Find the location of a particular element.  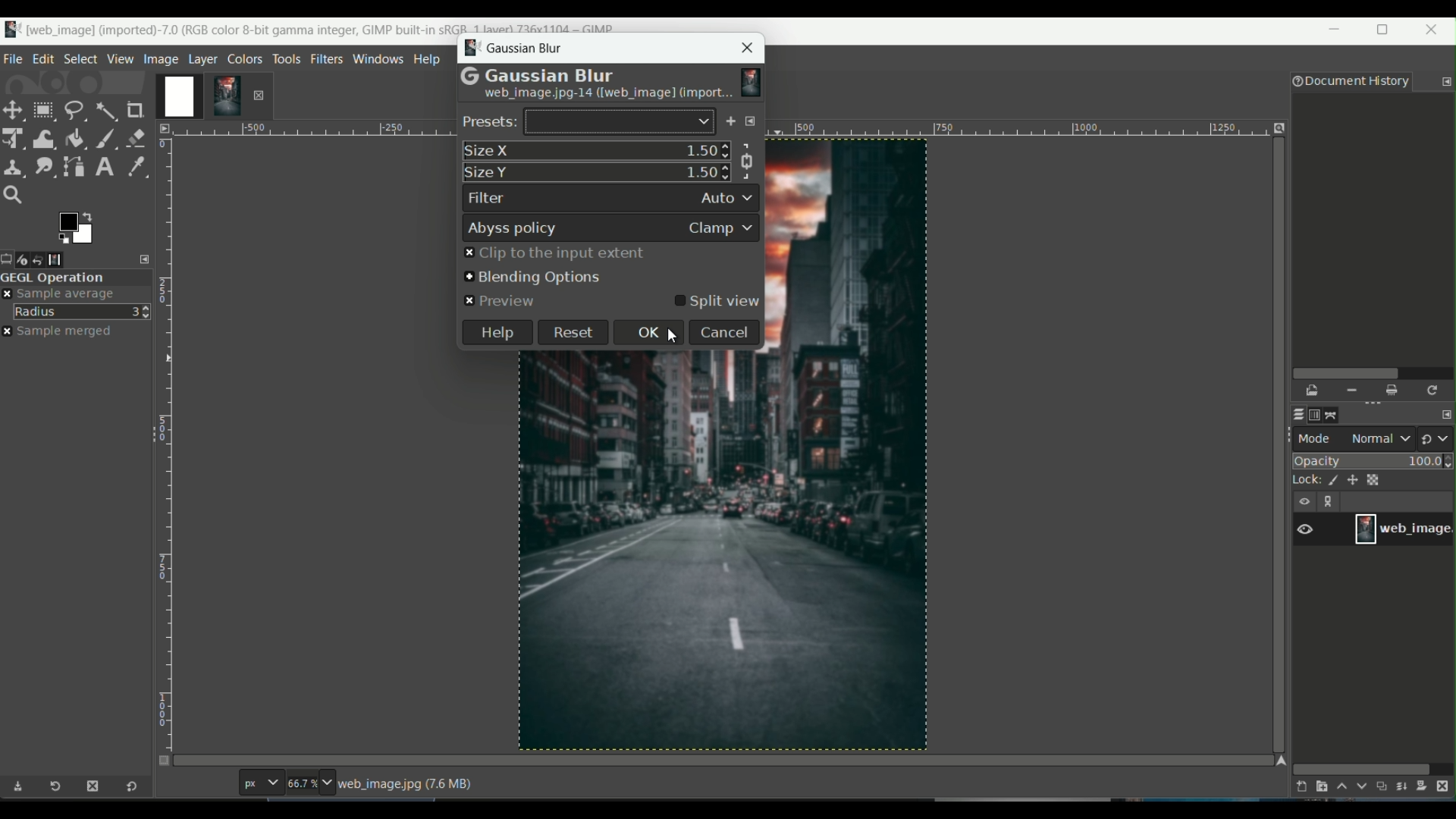

select tab is located at coordinates (80, 58).